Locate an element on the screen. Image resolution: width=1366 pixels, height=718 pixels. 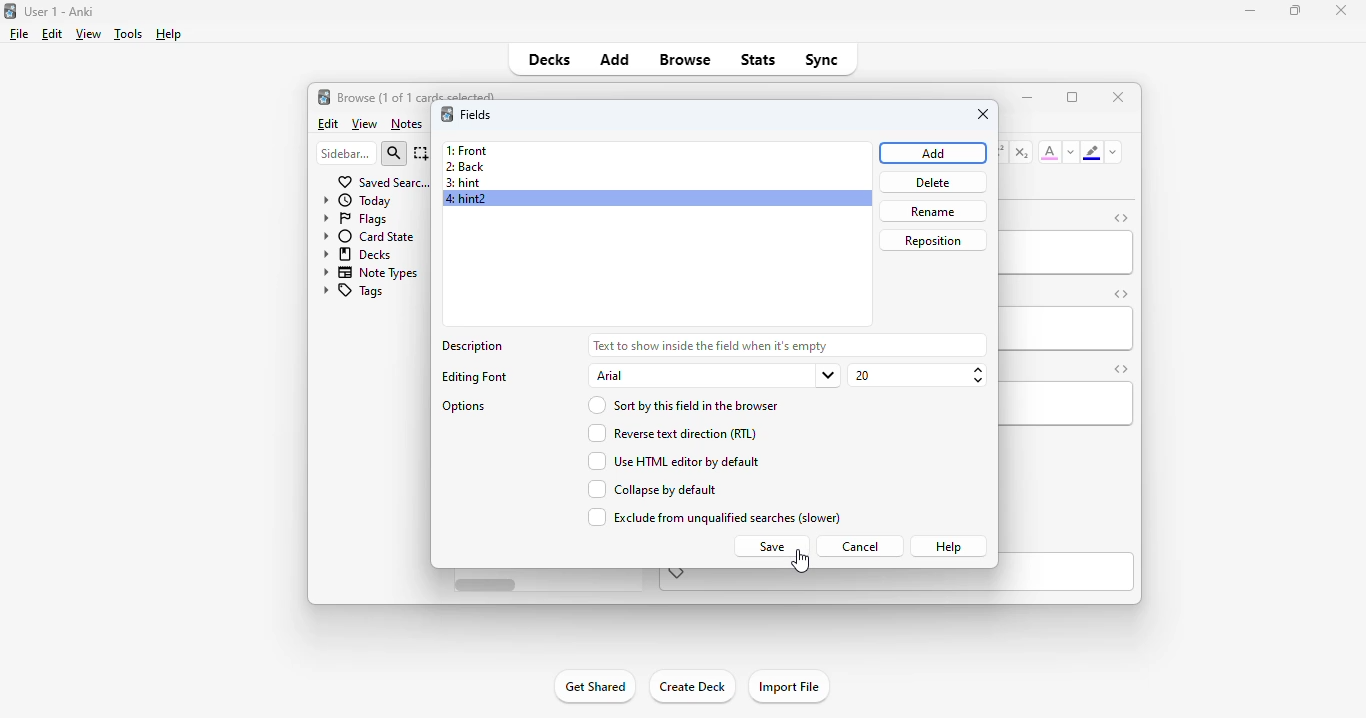
view is located at coordinates (365, 125).